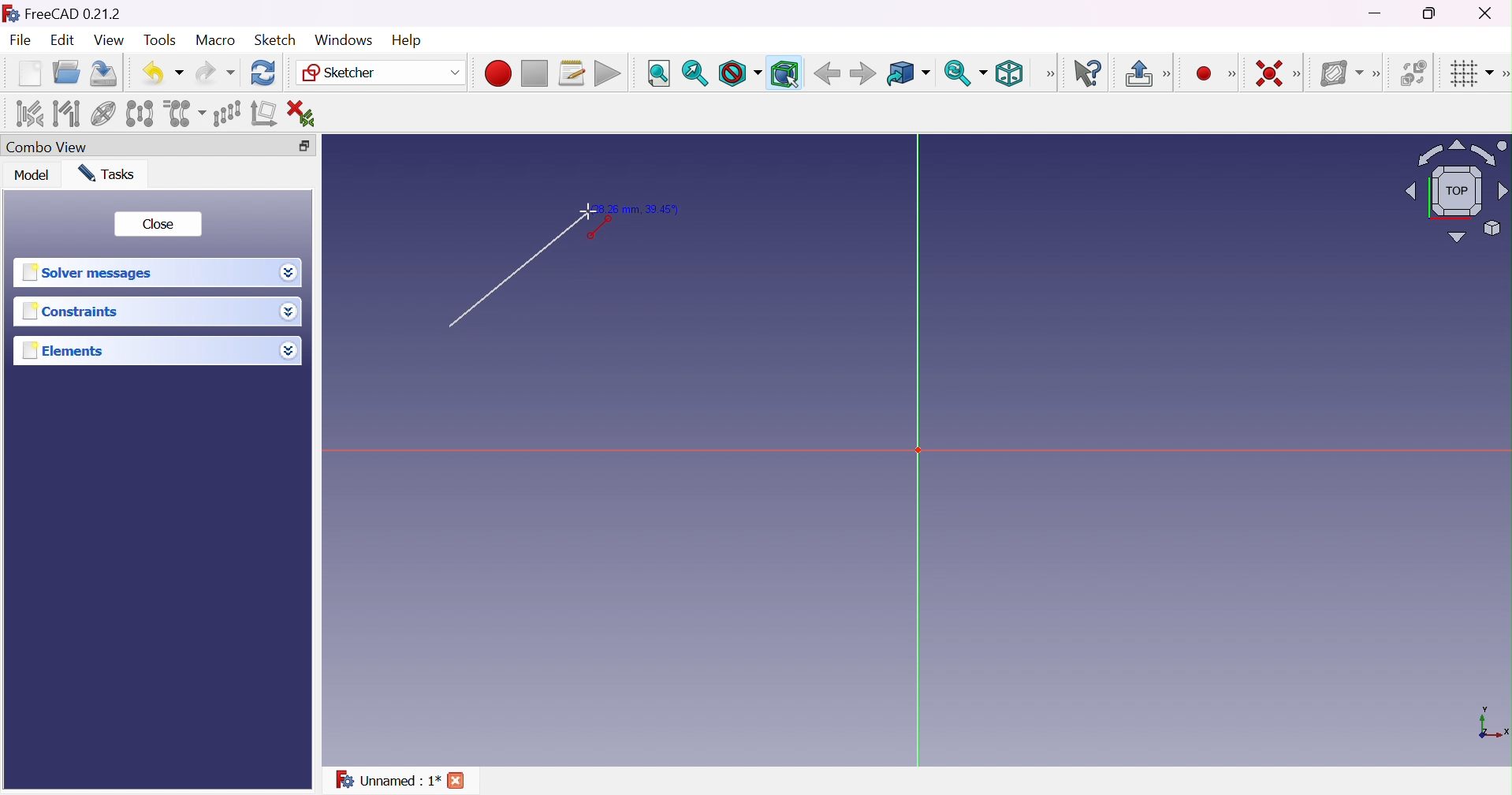 This screenshot has width=1512, height=795. What do you see at coordinates (289, 312) in the screenshot?
I see `Drop down` at bounding box center [289, 312].